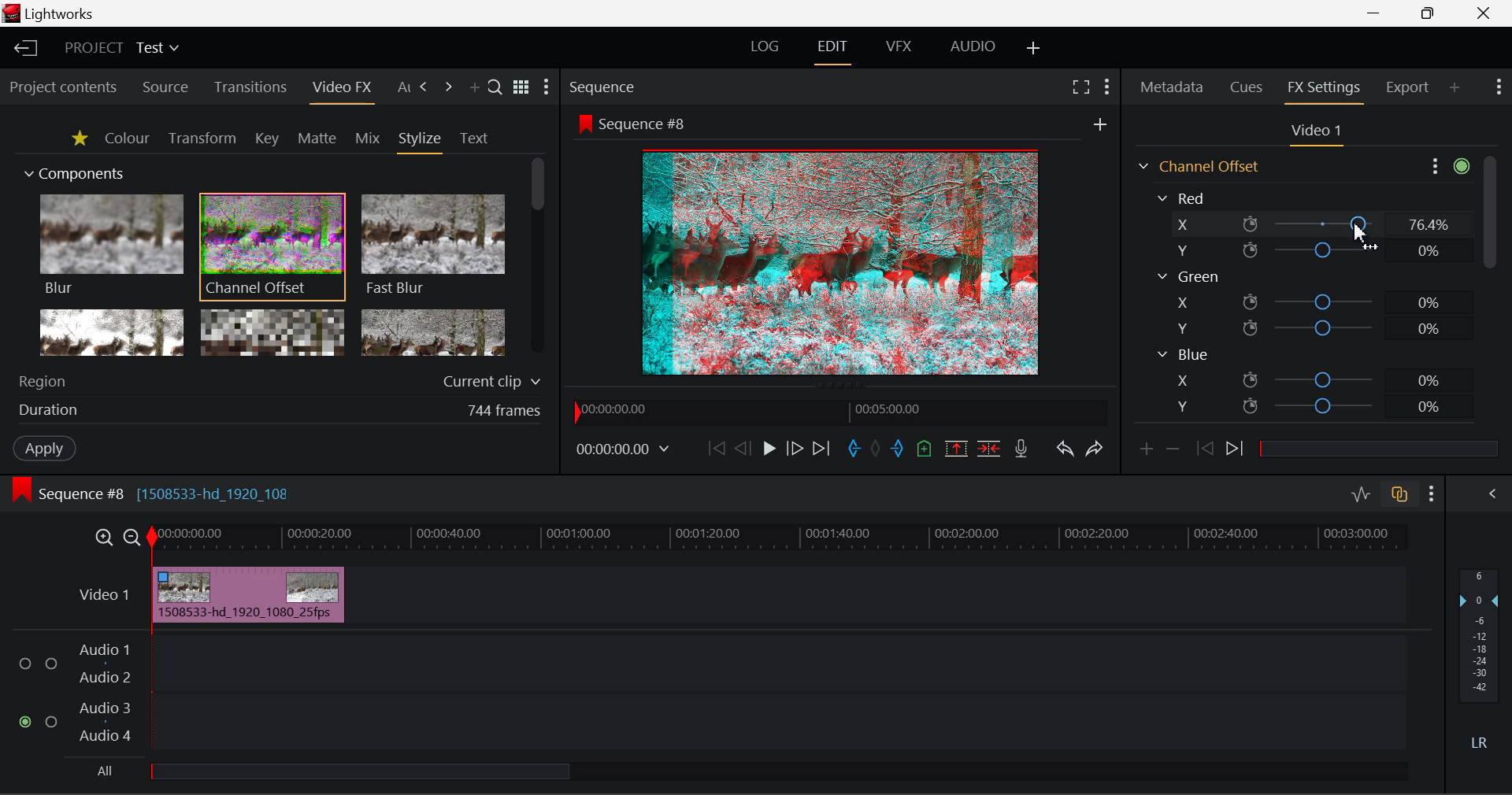  What do you see at coordinates (474, 89) in the screenshot?
I see `Add Panel` at bounding box center [474, 89].